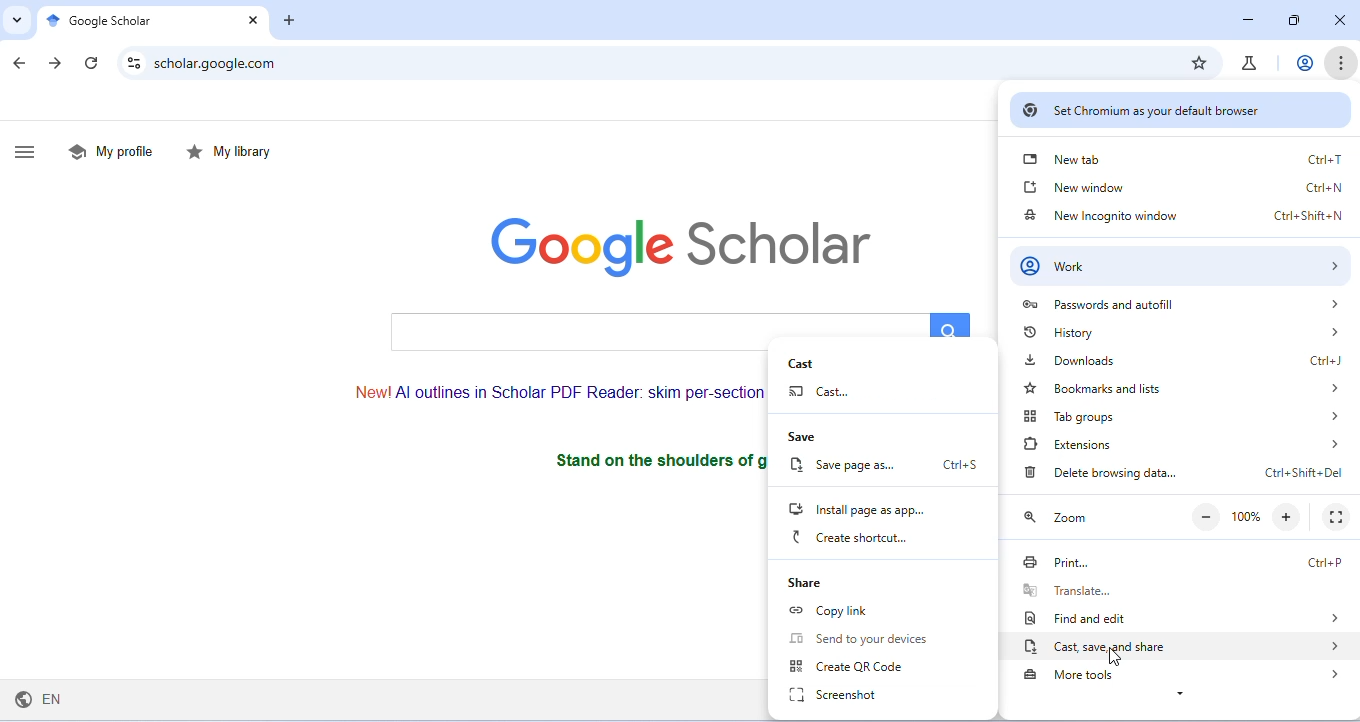  What do you see at coordinates (1181, 647) in the screenshot?
I see `cast, save and share` at bounding box center [1181, 647].